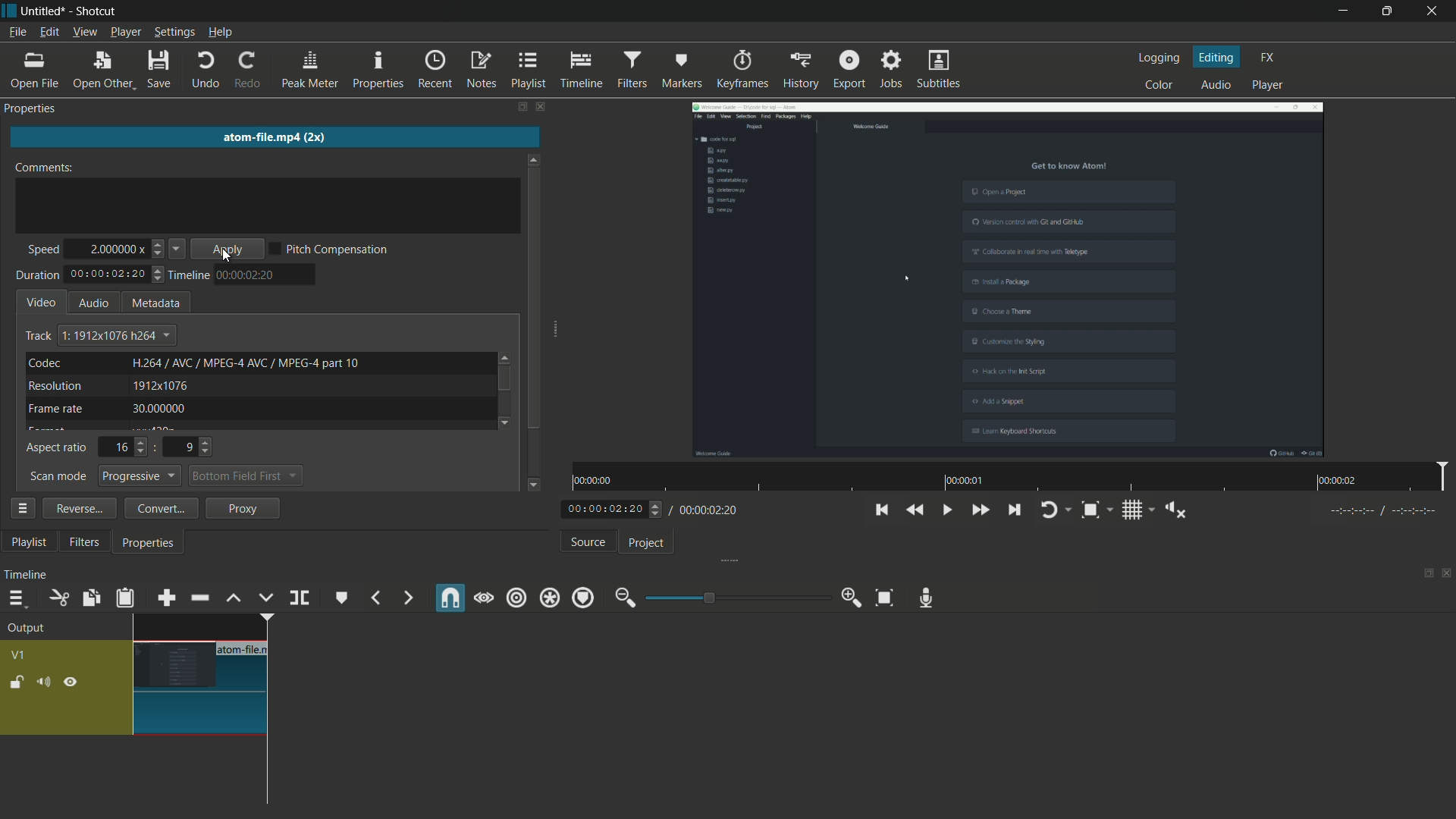 The image size is (1456, 819). Describe the element at coordinates (375, 599) in the screenshot. I see `previous marker` at that location.